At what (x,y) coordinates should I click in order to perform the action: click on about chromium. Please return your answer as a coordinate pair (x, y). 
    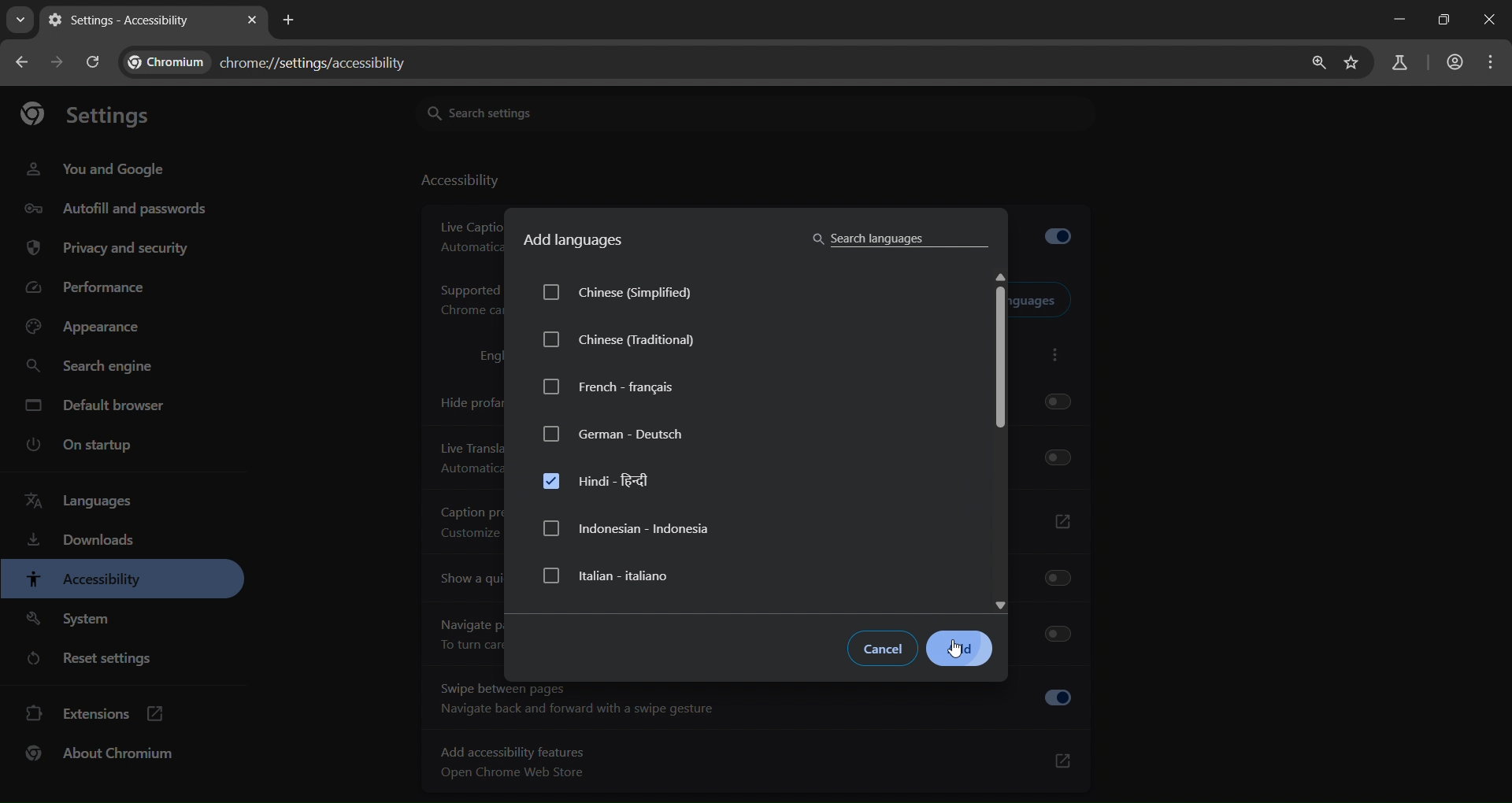
    Looking at the image, I should click on (101, 755).